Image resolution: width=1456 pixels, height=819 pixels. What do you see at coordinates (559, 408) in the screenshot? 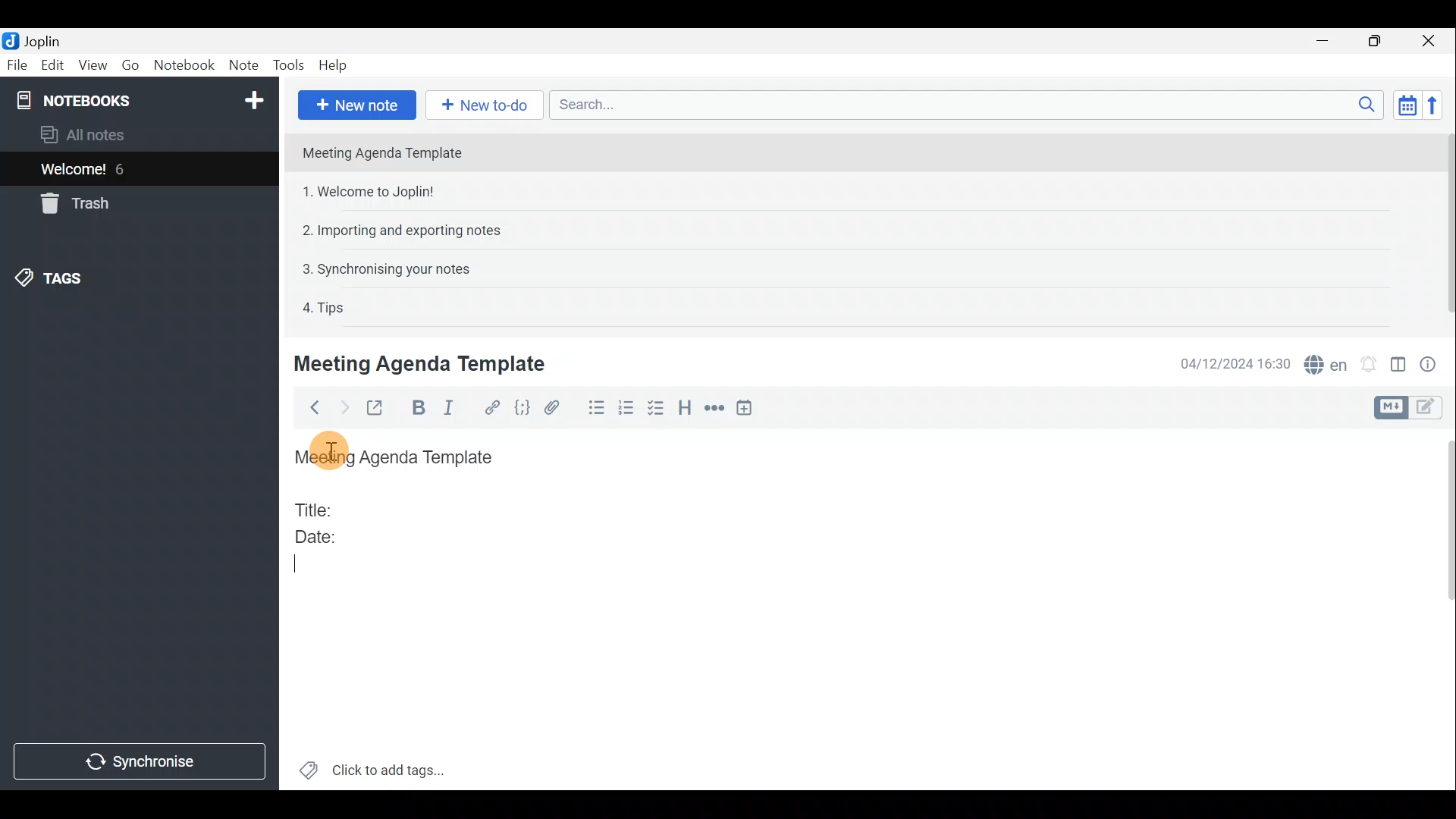
I see `Attach file` at bounding box center [559, 408].